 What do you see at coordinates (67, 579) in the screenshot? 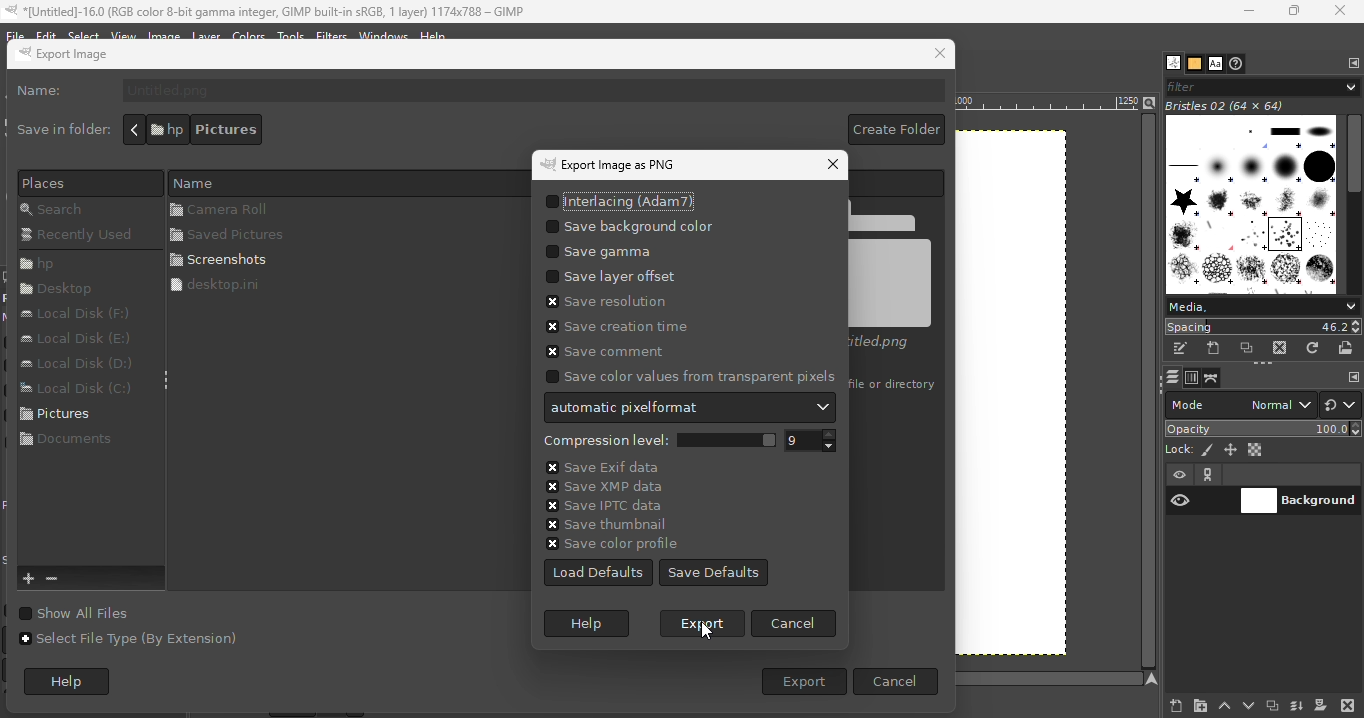
I see `Bookmark cannot be removed` at bounding box center [67, 579].